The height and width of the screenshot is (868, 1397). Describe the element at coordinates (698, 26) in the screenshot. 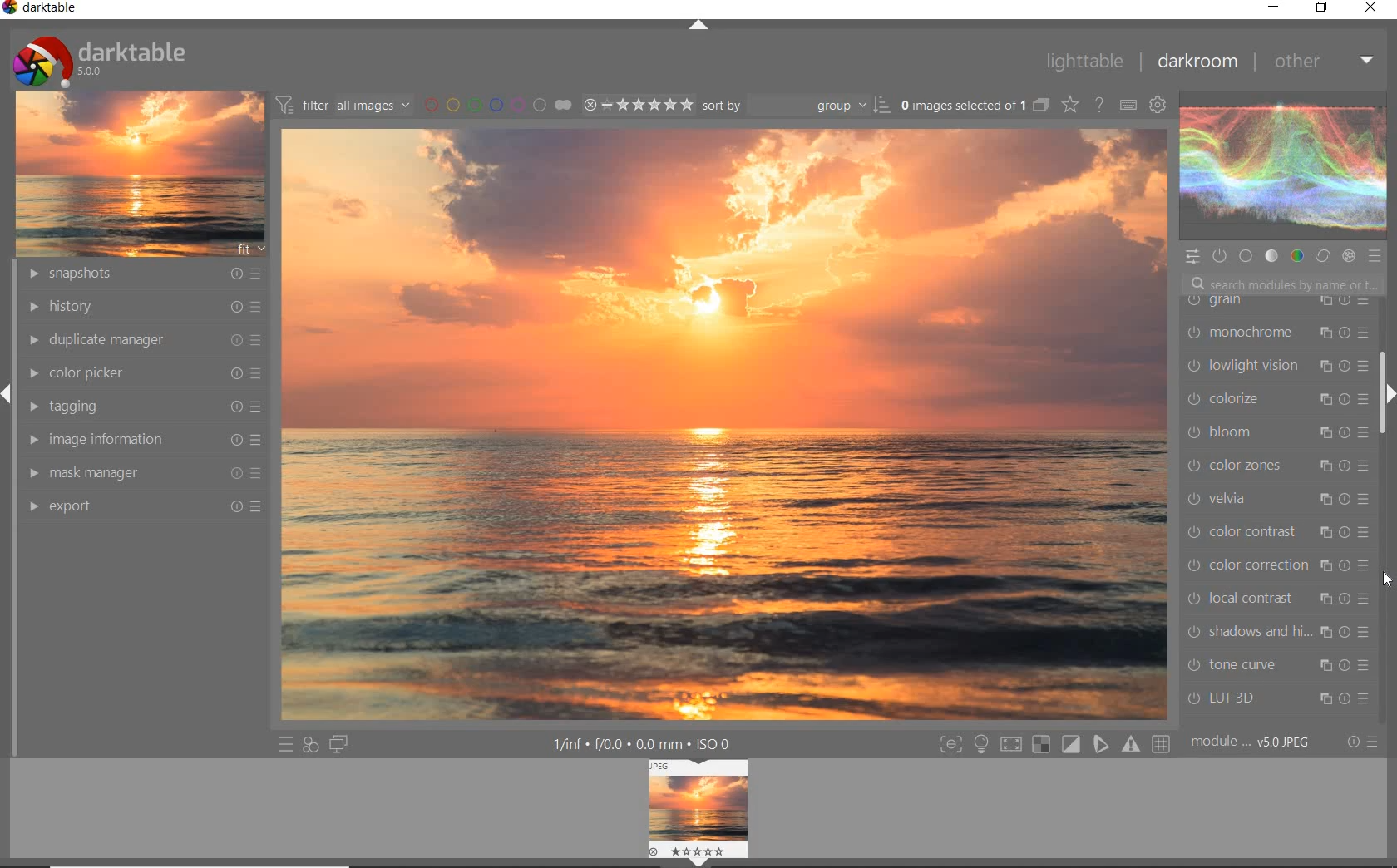

I see `EXPAND/COLLAPSE` at that location.